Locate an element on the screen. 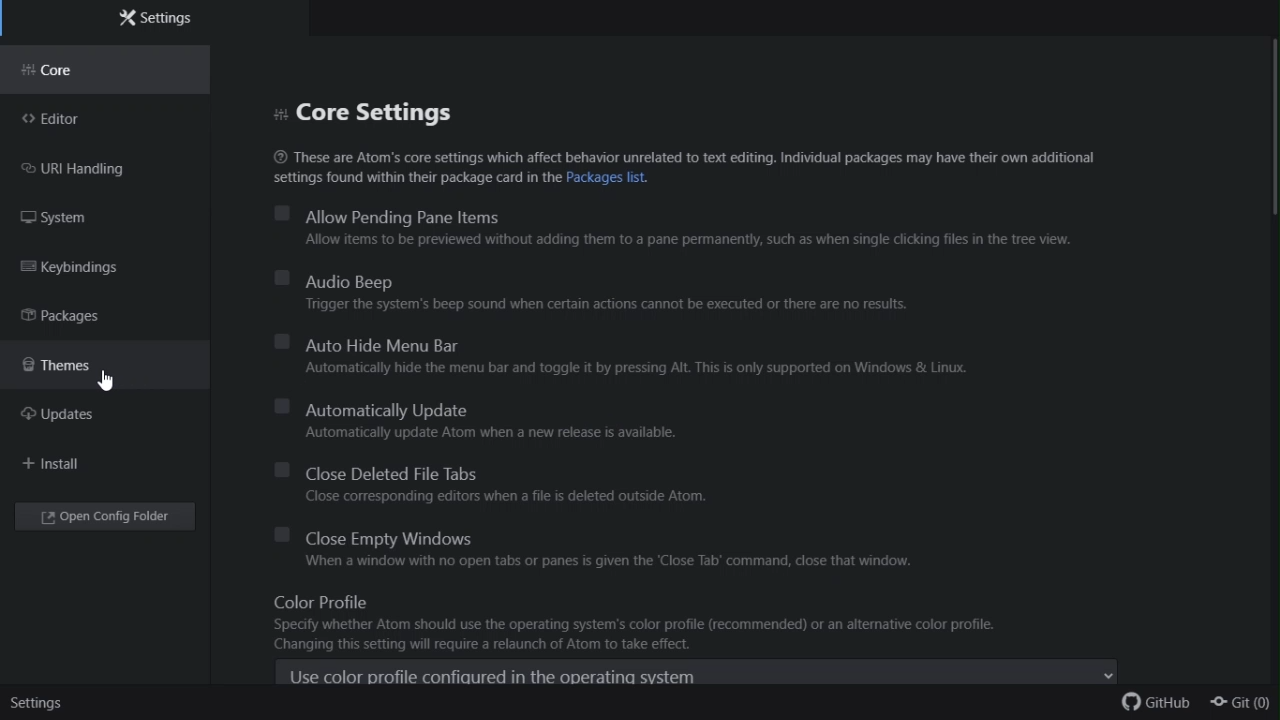  Close deleted file tabs is located at coordinates (507, 471).